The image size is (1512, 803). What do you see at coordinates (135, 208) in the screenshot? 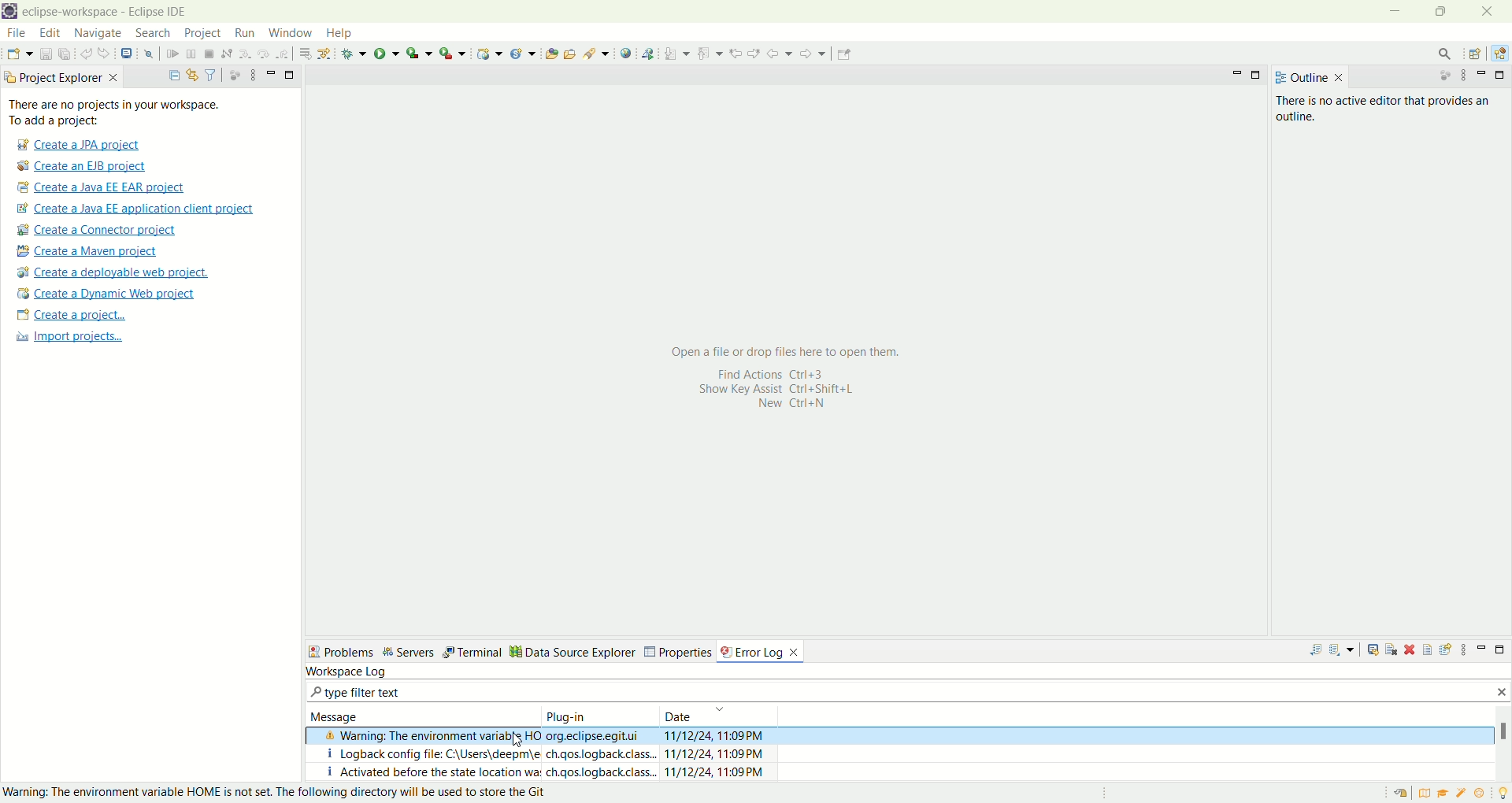
I see `create a Java EE application client project` at bounding box center [135, 208].